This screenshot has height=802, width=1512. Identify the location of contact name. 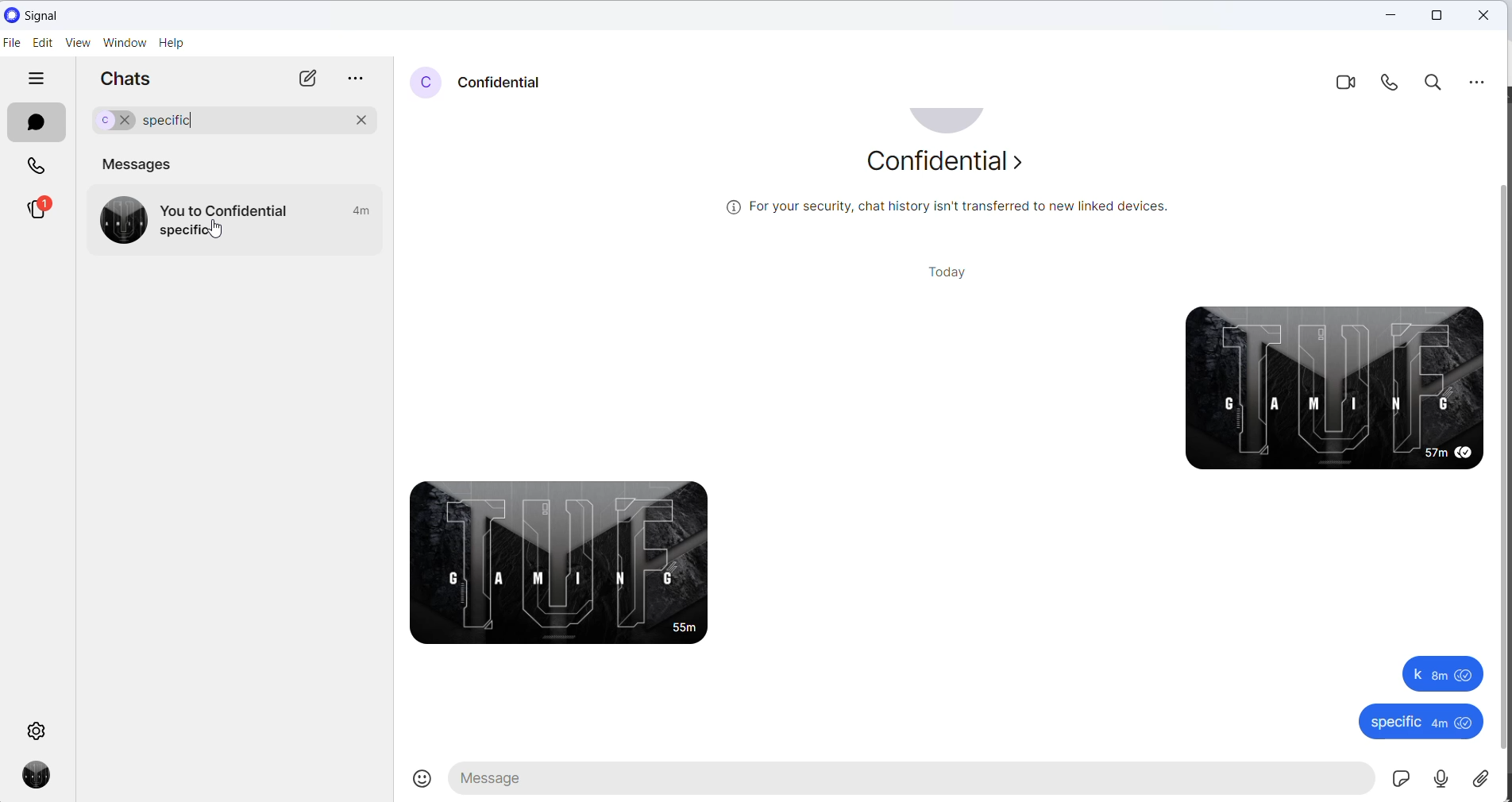
(501, 83).